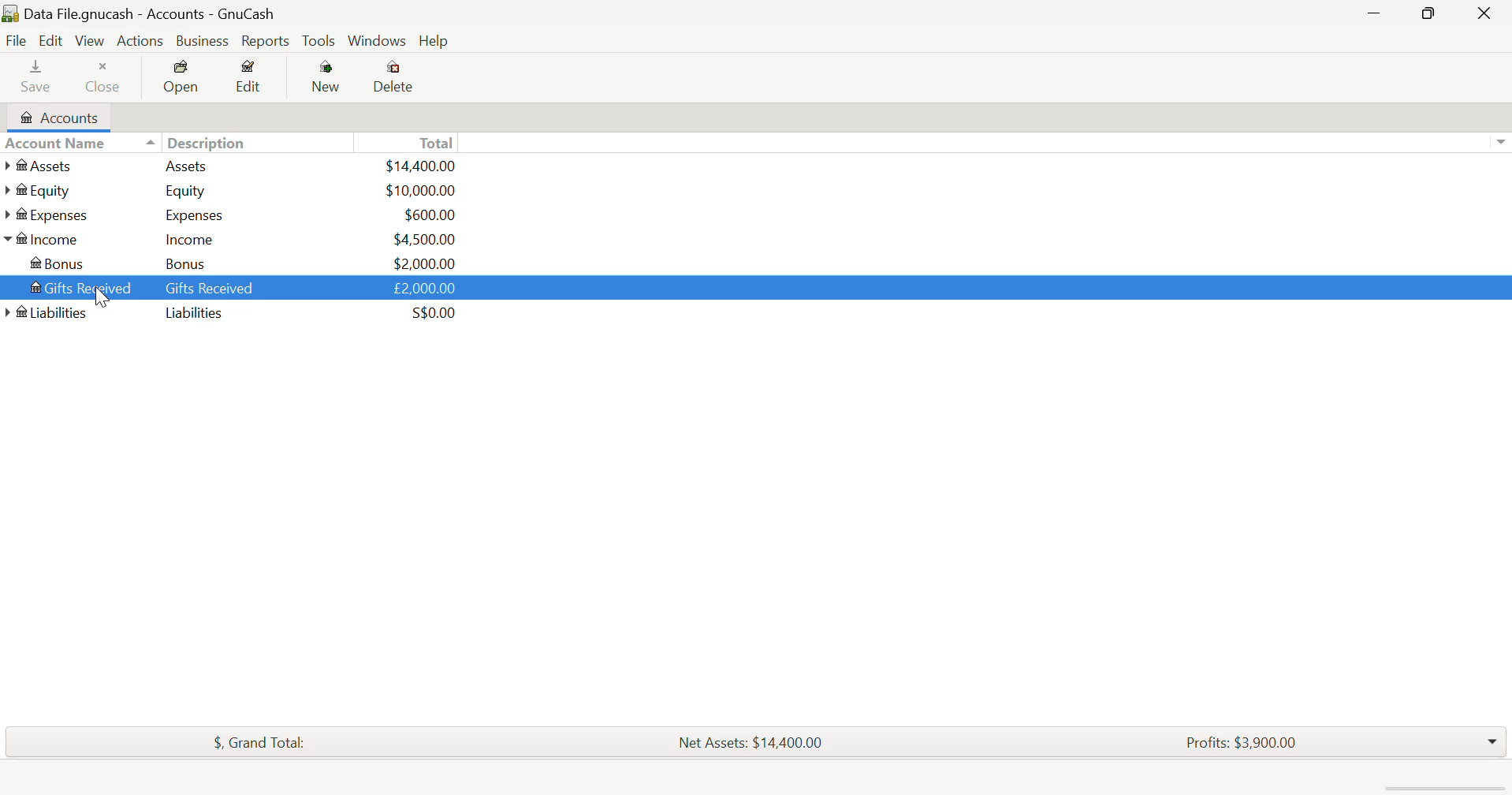 Image resolution: width=1512 pixels, height=795 pixels. Describe the element at coordinates (755, 740) in the screenshot. I see `Net Assets: $14,400.00` at that location.